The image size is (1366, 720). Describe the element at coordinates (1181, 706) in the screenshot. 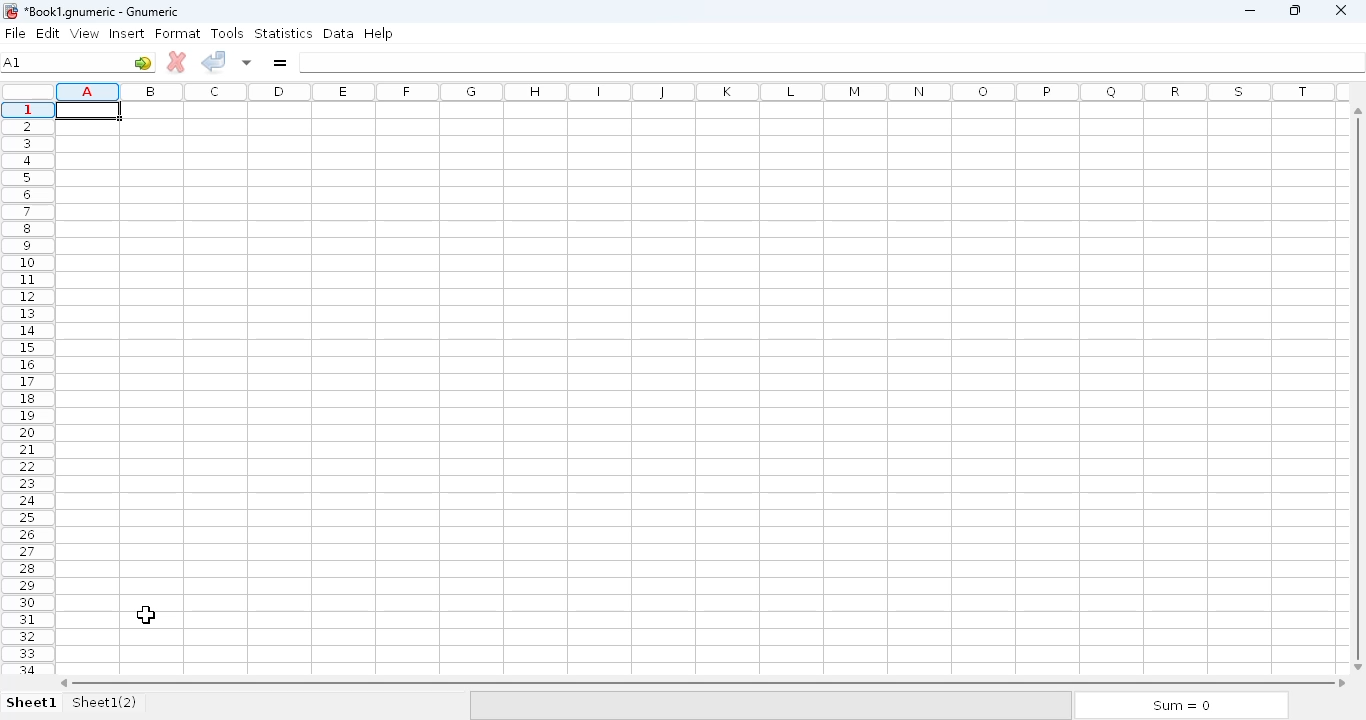

I see `sum = 0` at that location.